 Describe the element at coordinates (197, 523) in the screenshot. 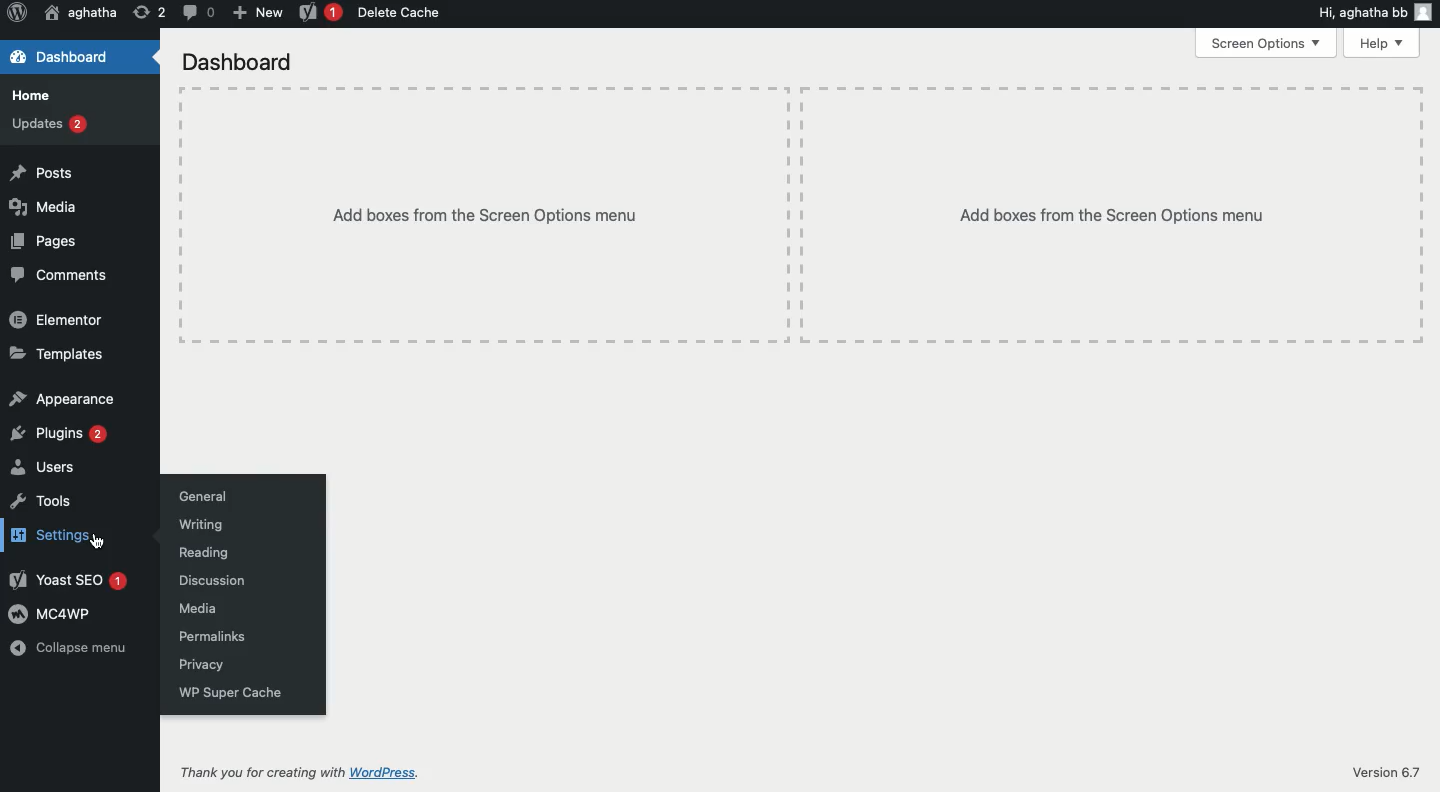

I see `Writing` at that location.